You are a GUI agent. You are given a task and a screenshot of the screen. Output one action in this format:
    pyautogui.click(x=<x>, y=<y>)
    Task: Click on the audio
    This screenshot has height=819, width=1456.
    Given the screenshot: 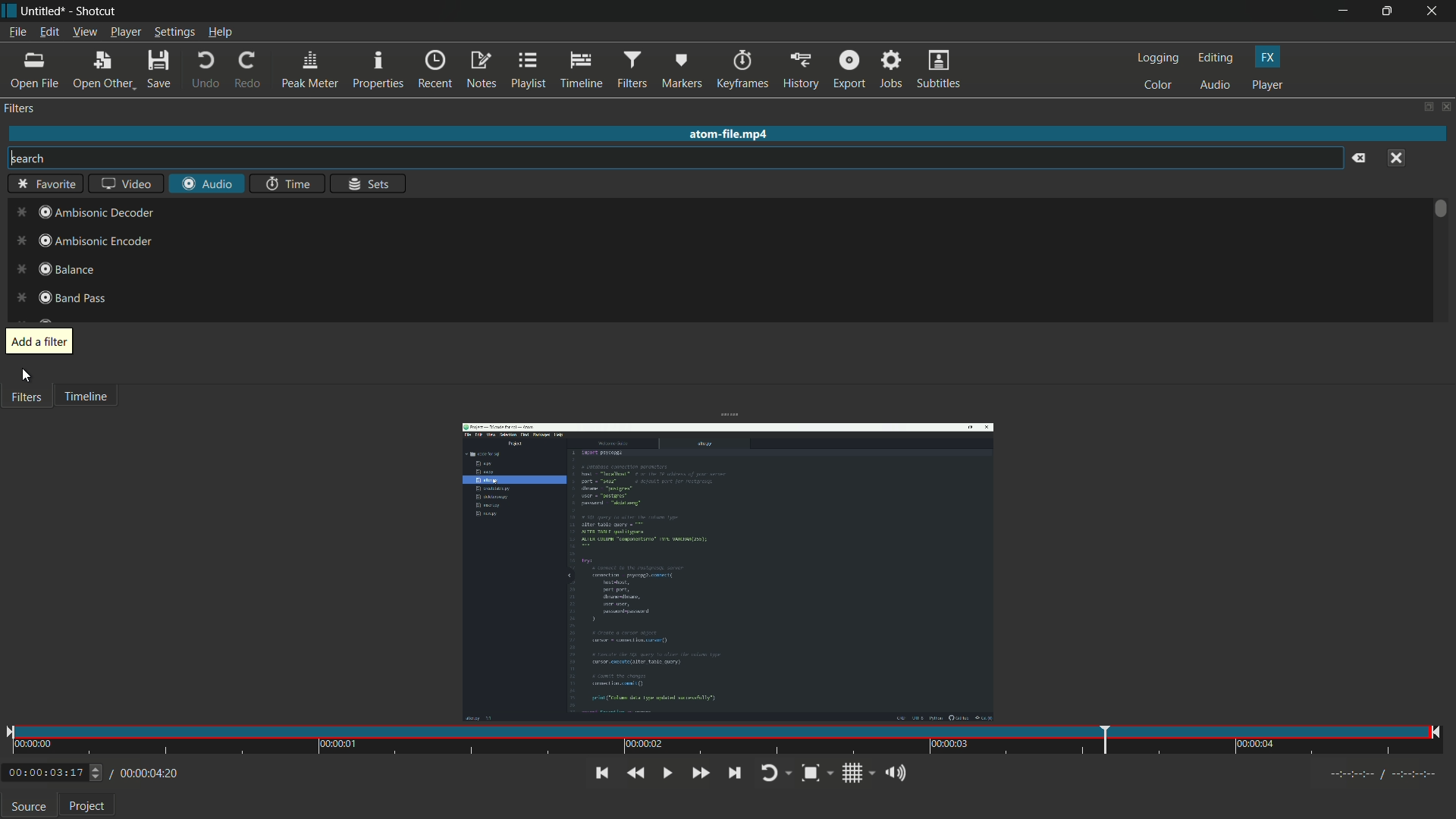 What is the action you would take?
    pyautogui.click(x=1214, y=86)
    